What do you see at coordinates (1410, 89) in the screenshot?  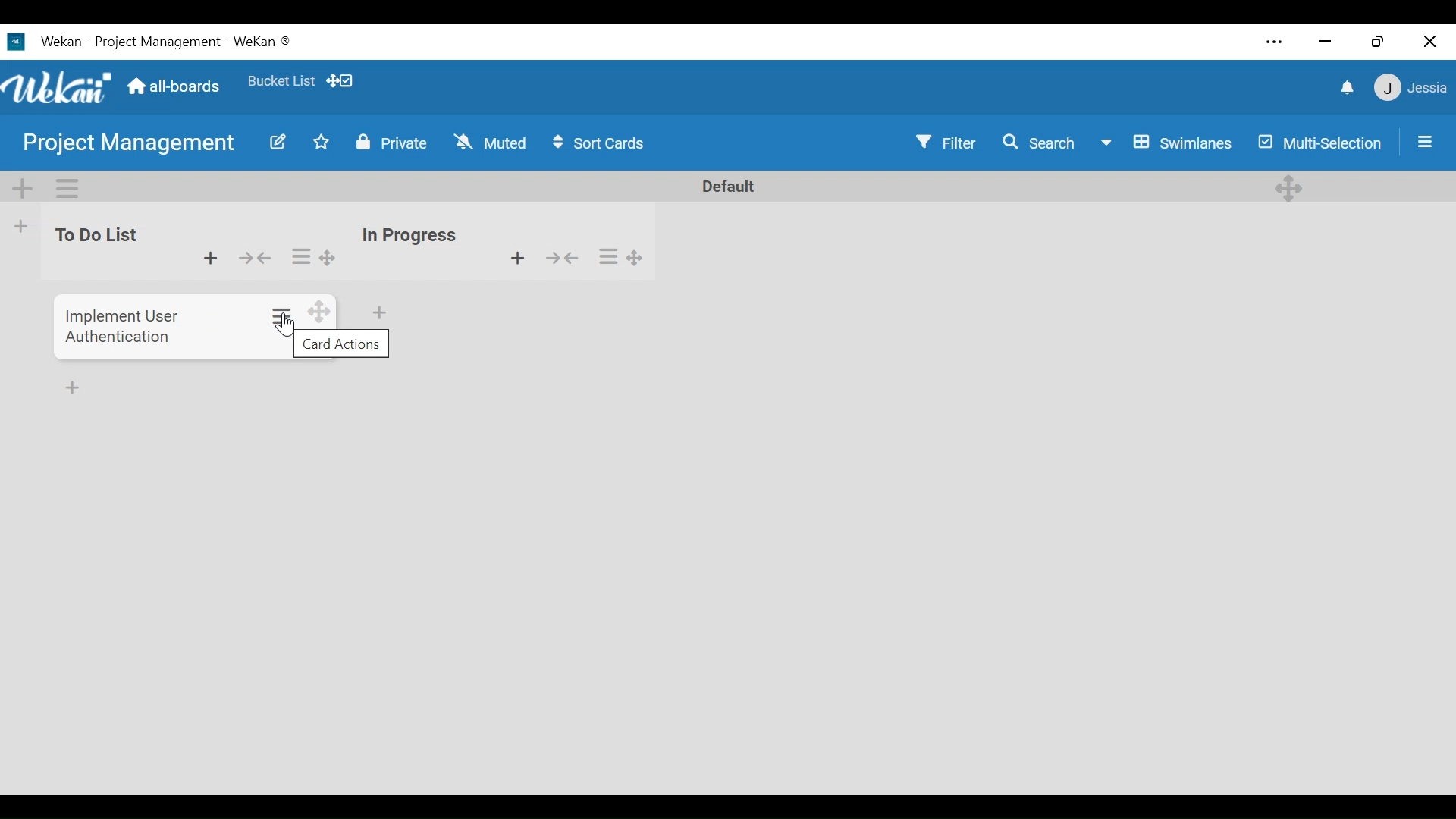 I see `member settings` at bounding box center [1410, 89].